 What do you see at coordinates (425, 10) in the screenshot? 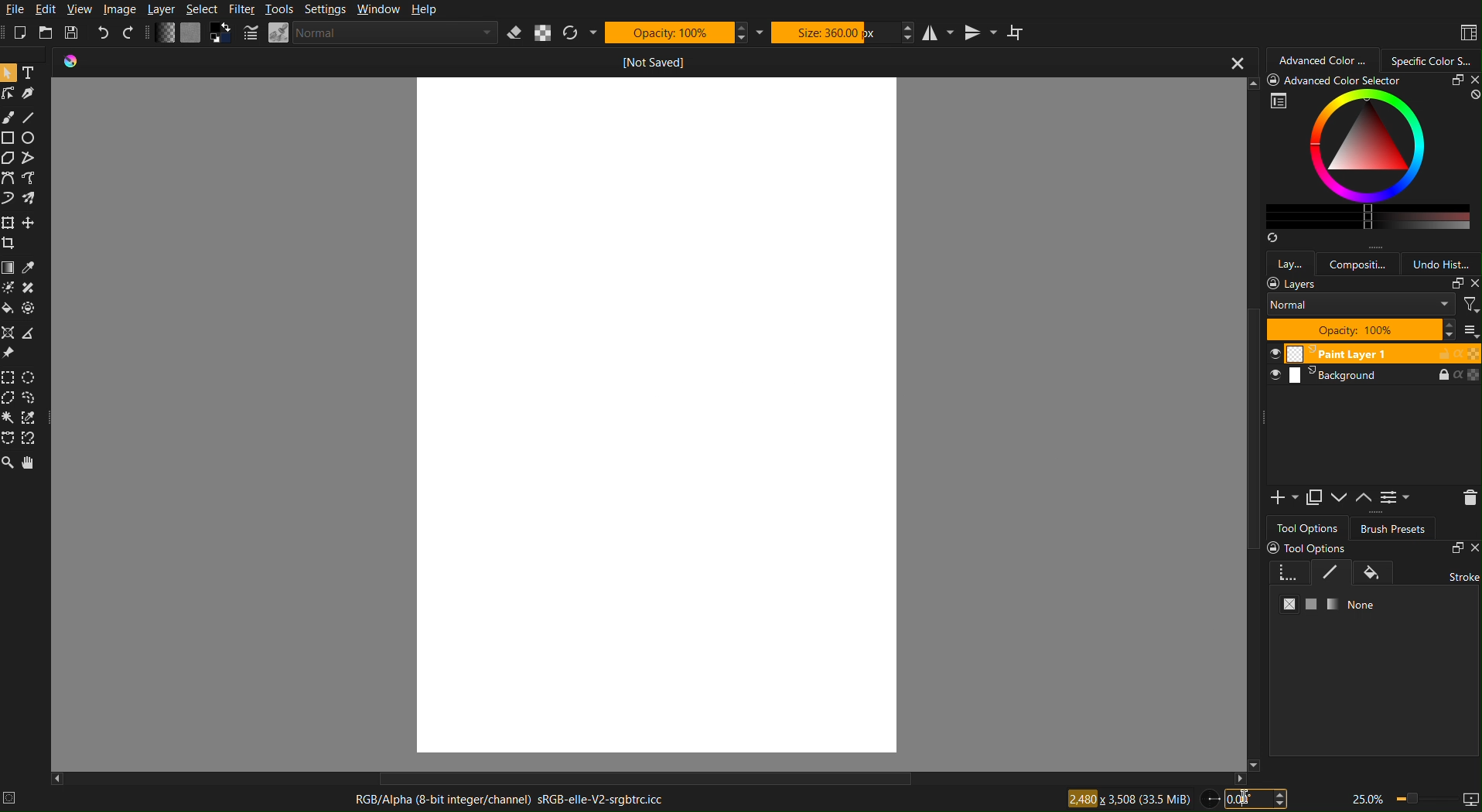
I see `Help` at bounding box center [425, 10].